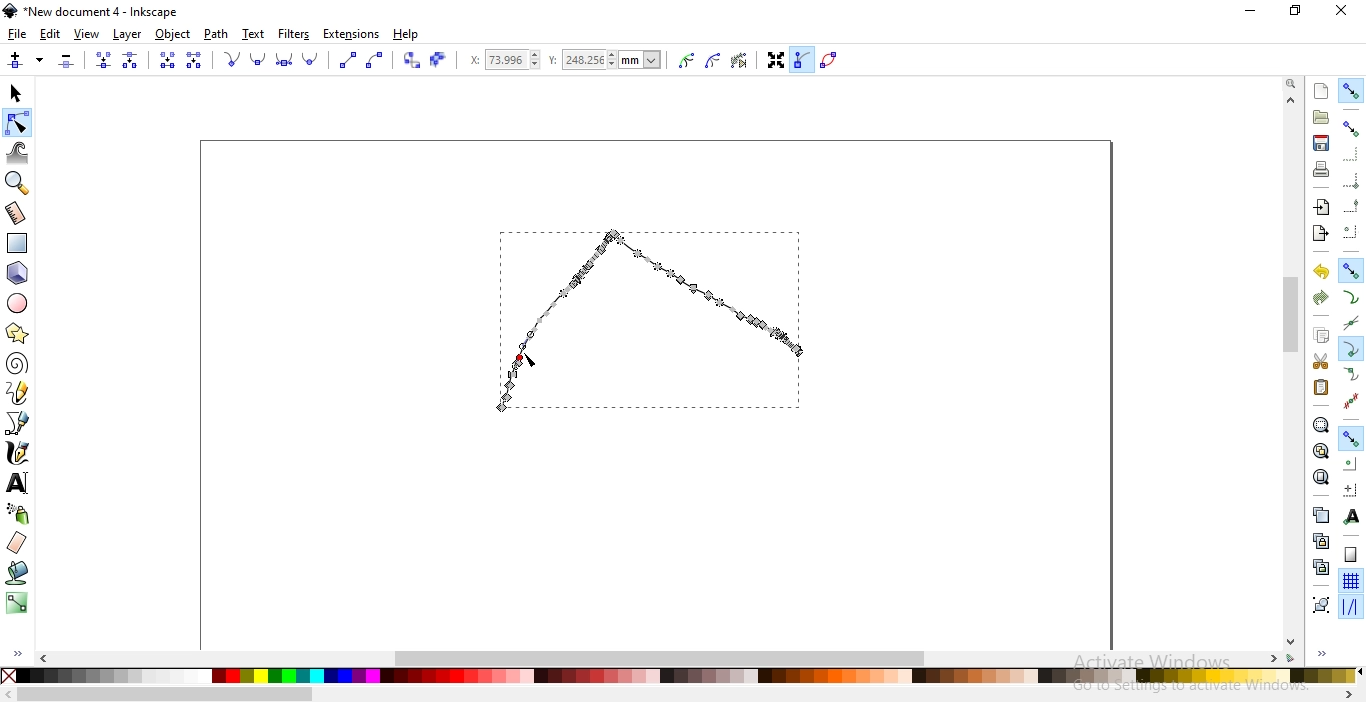 Image resolution: width=1366 pixels, height=702 pixels. What do you see at coordinates (166, 696) in the screenshot?
I see `scrollbar` at bounding box center [166, 696].